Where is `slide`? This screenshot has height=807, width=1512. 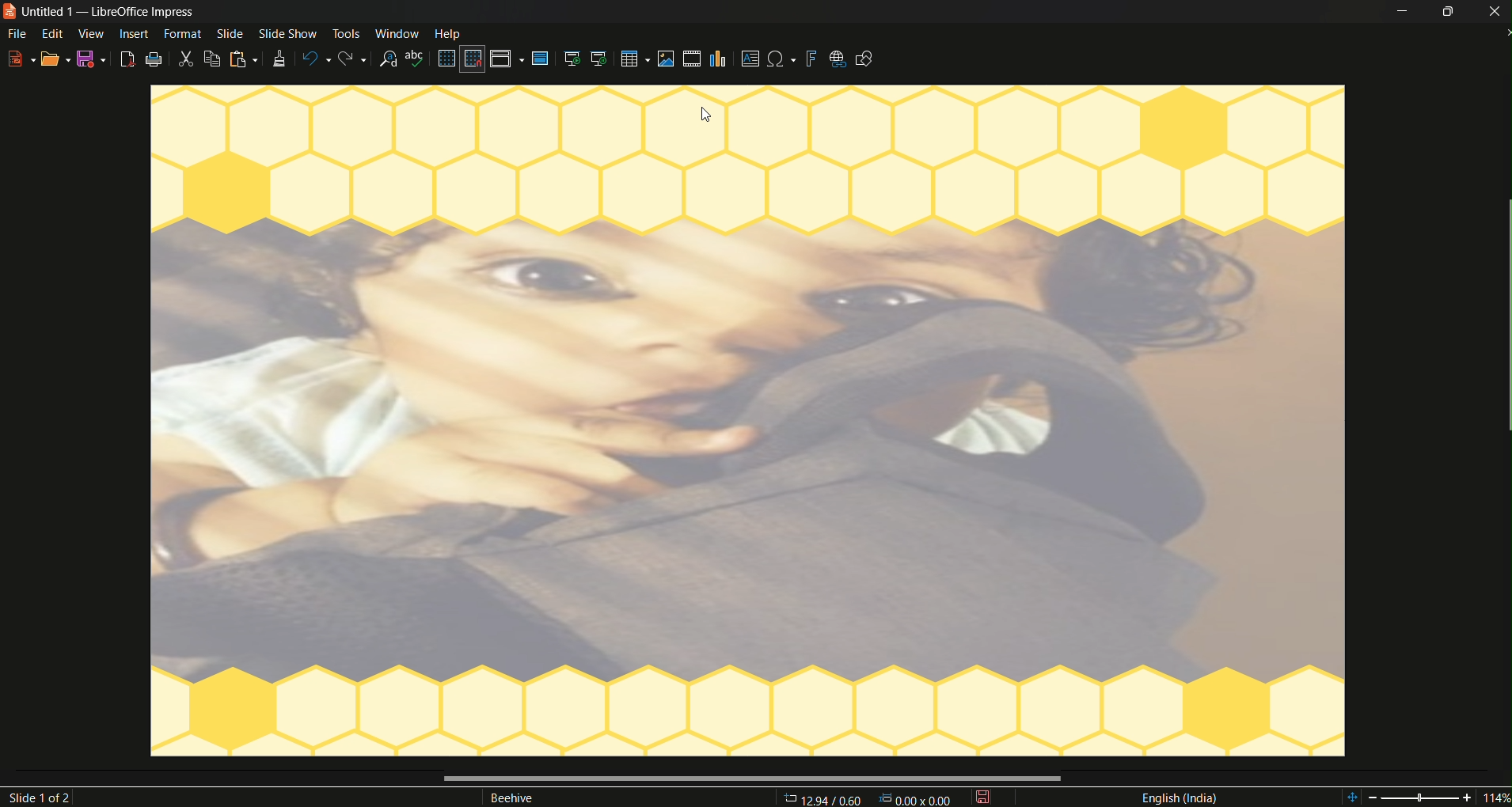
slide is located at coordinates (230, 33).